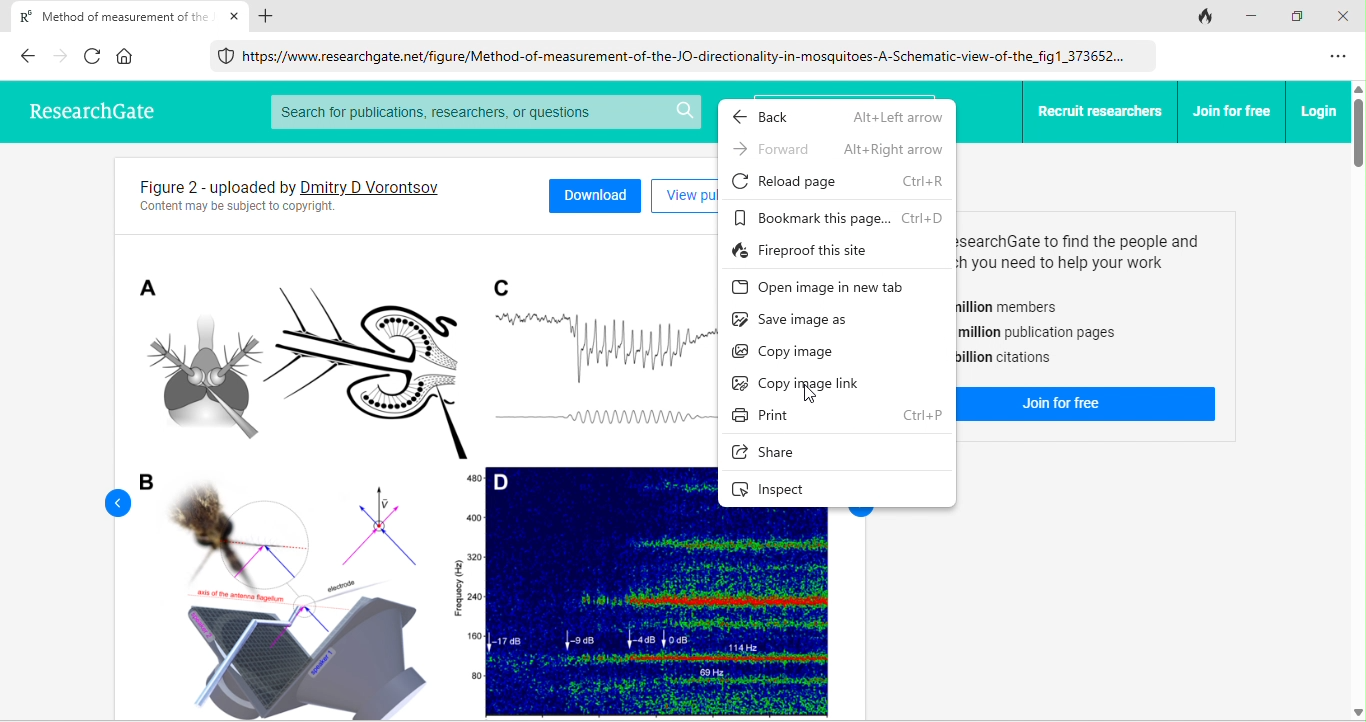  What do you see at coordinates (818, 250) in the screenshot?
I see `fireproof this site` at bounding box center [818, 250].